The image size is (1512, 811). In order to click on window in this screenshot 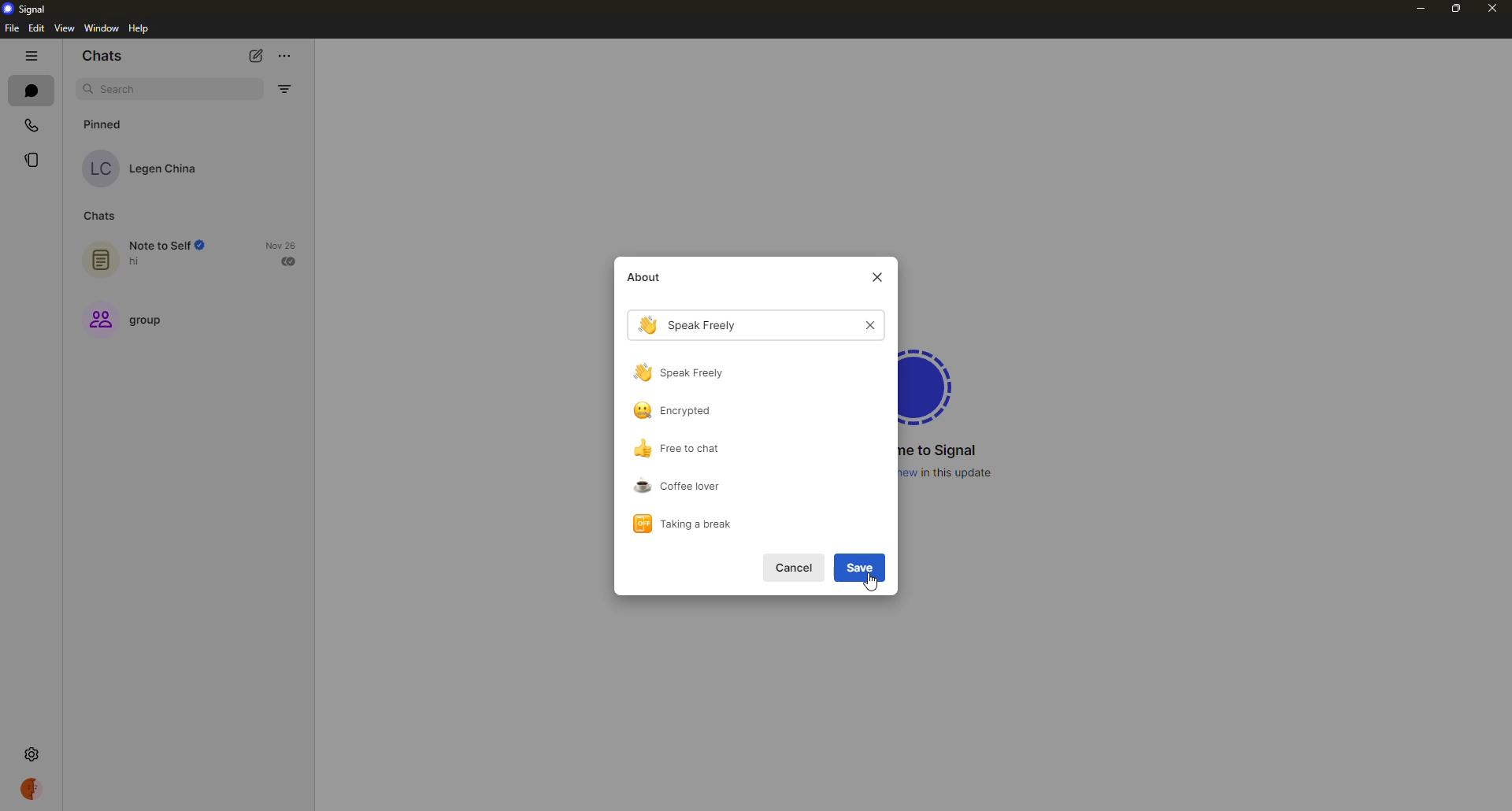, I will do `click(102, 28)`.